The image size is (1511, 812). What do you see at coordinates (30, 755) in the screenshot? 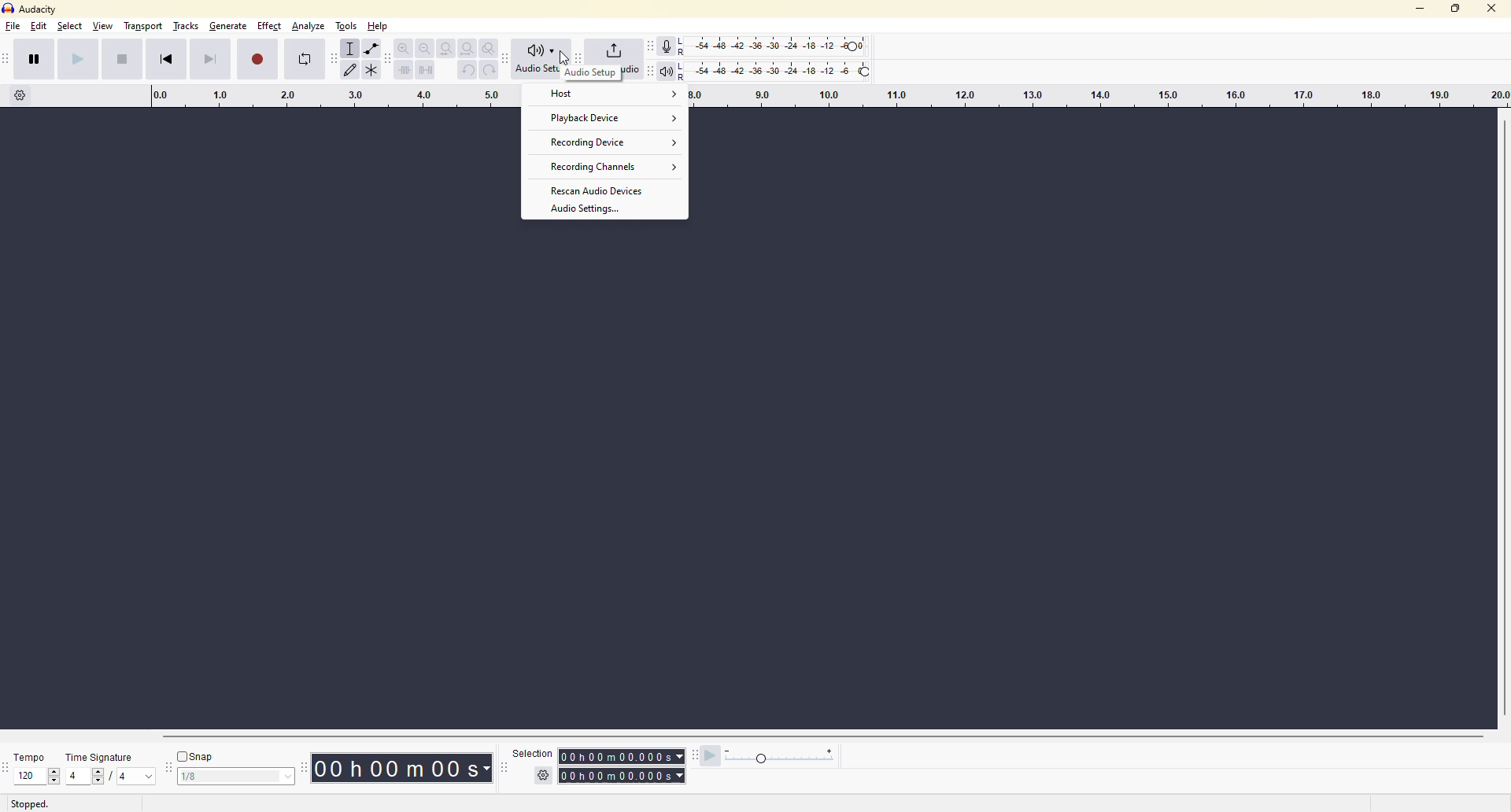
I see `temps` at bounding box center [30, 755].